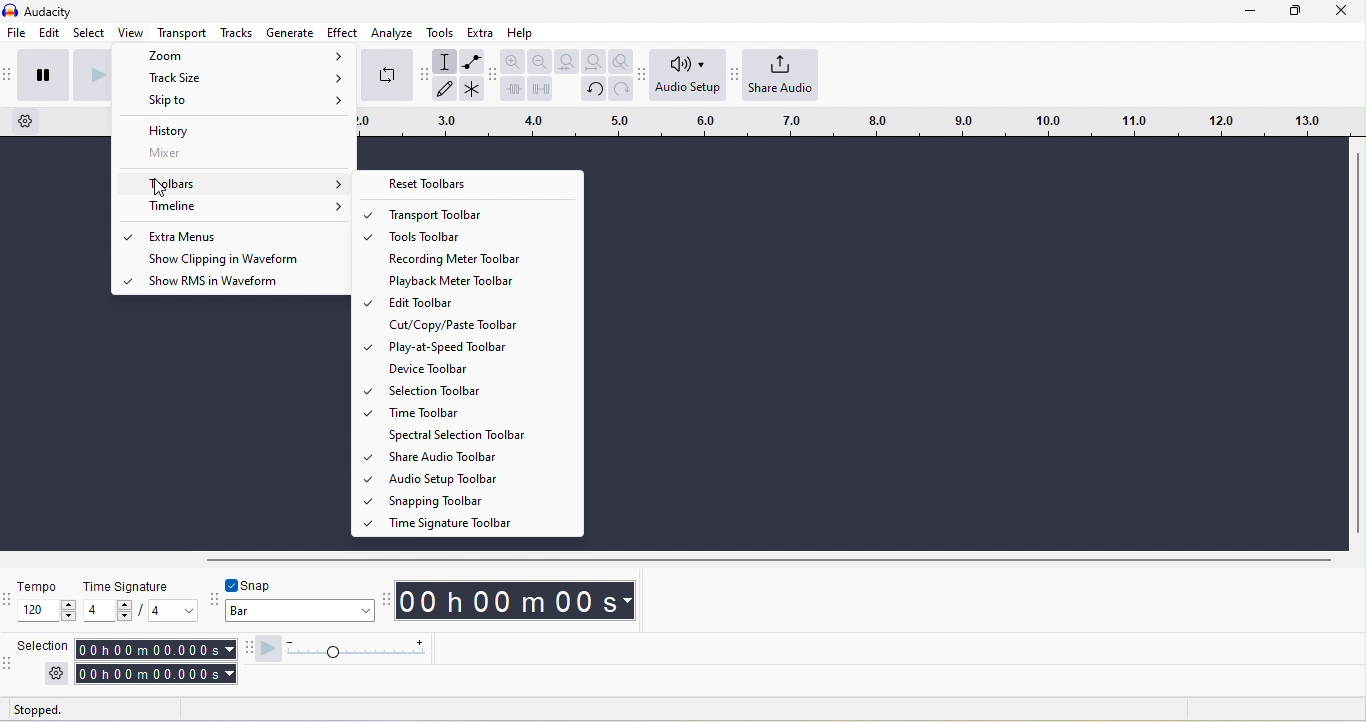 The image size is (1366, 722). Describe the element at coordinates (44, 76) in the screenshot. I see `pause` at that location.